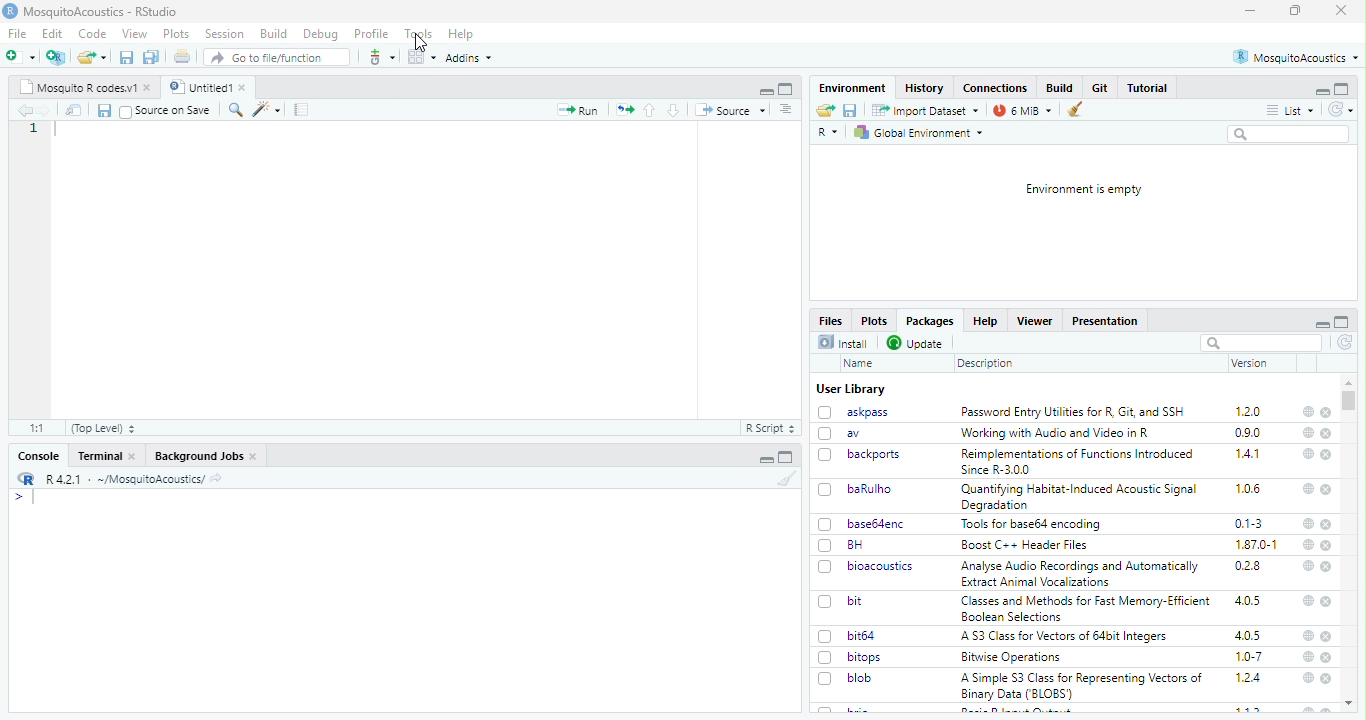  I want to click on Name, so click(862, 364).